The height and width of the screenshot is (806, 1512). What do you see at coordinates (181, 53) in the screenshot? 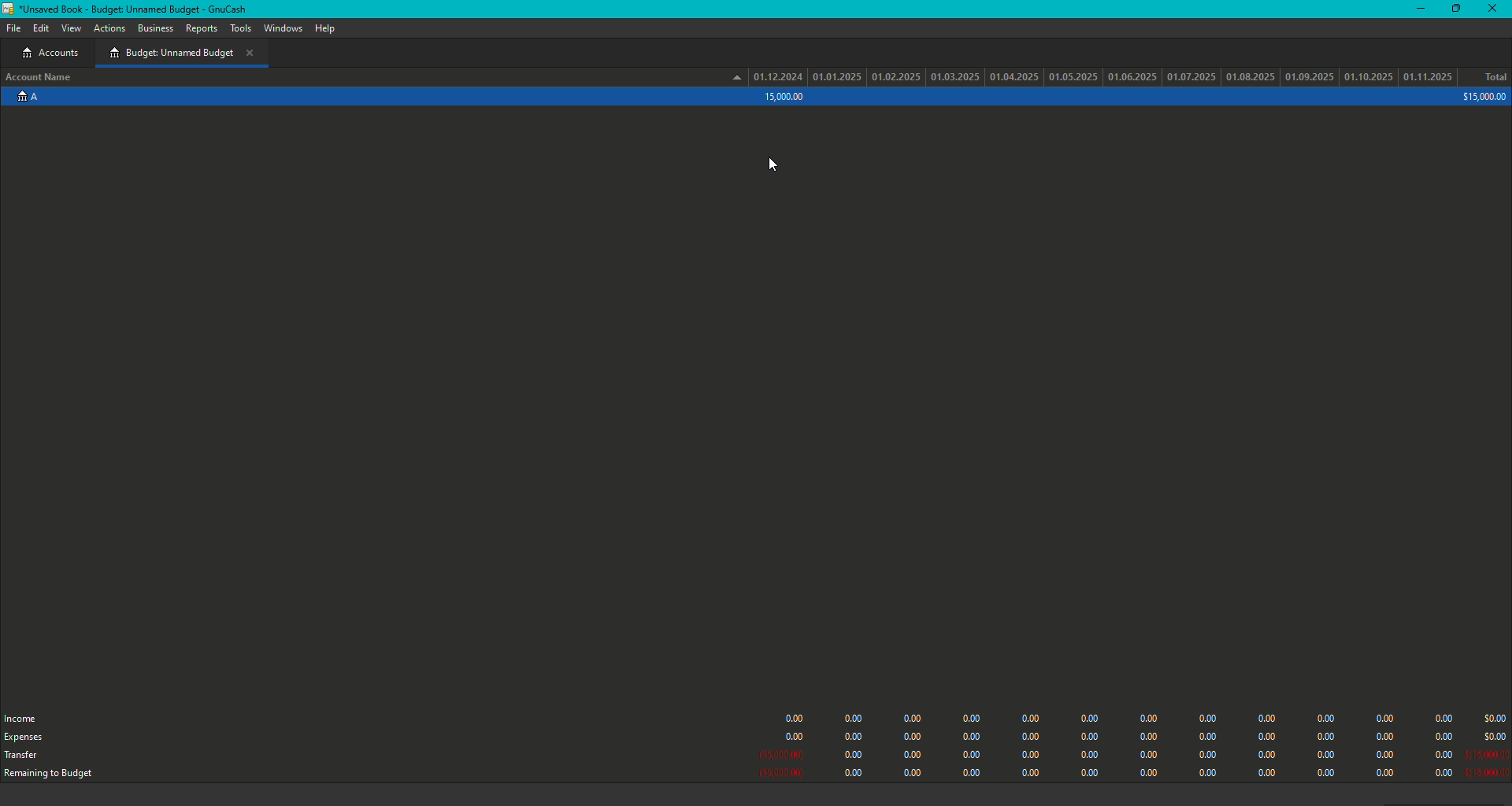
I see `Unnamed Budget` at bounding box center [181, 53].